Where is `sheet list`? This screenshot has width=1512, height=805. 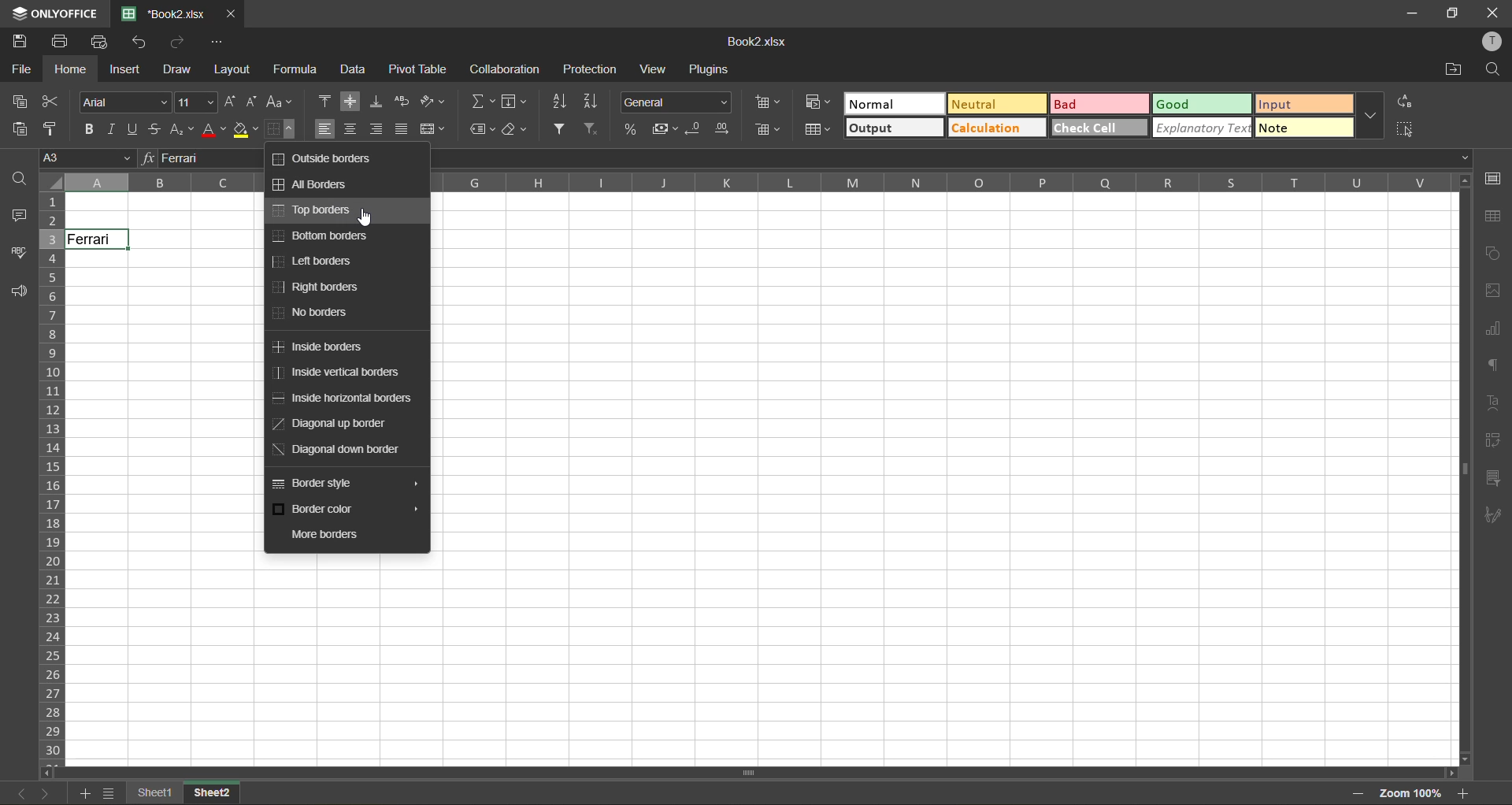
sheet list is located at coordinates (109, 792).